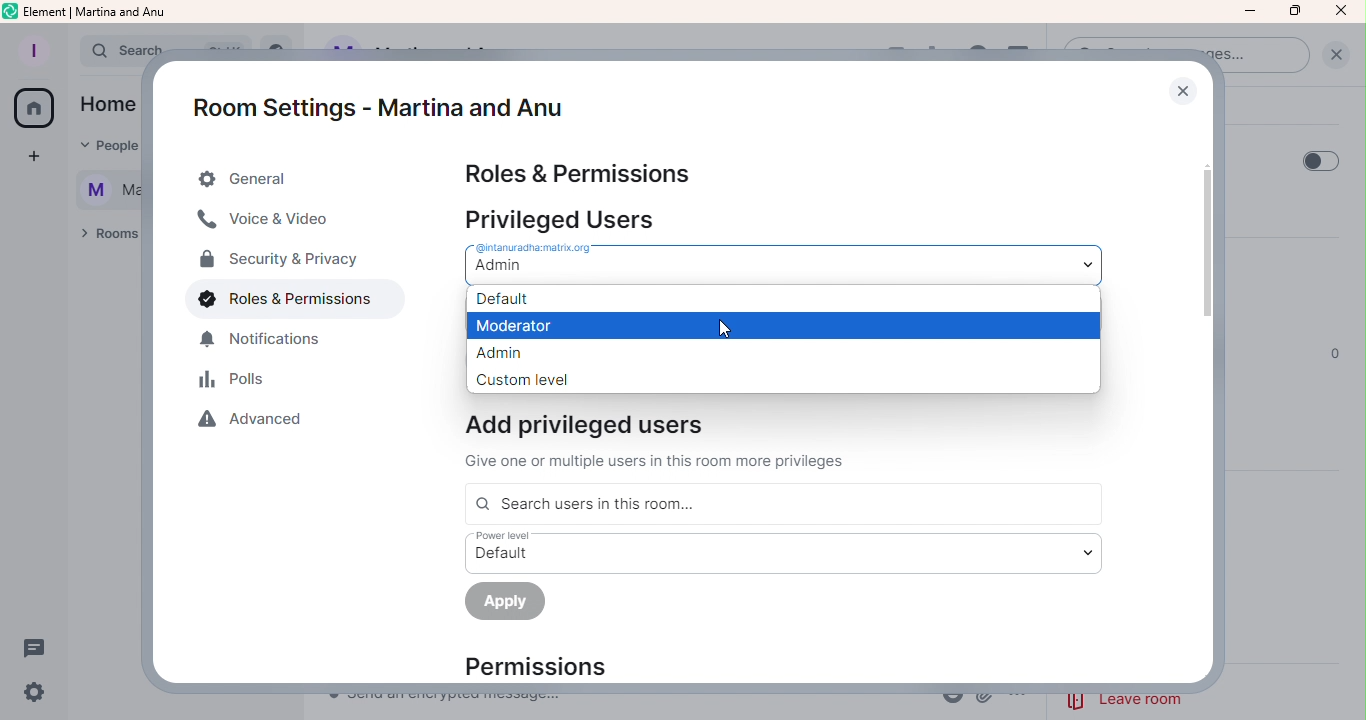  Describe the element at coordinates (108, 147) in the screenshot. I see `People` at that location.